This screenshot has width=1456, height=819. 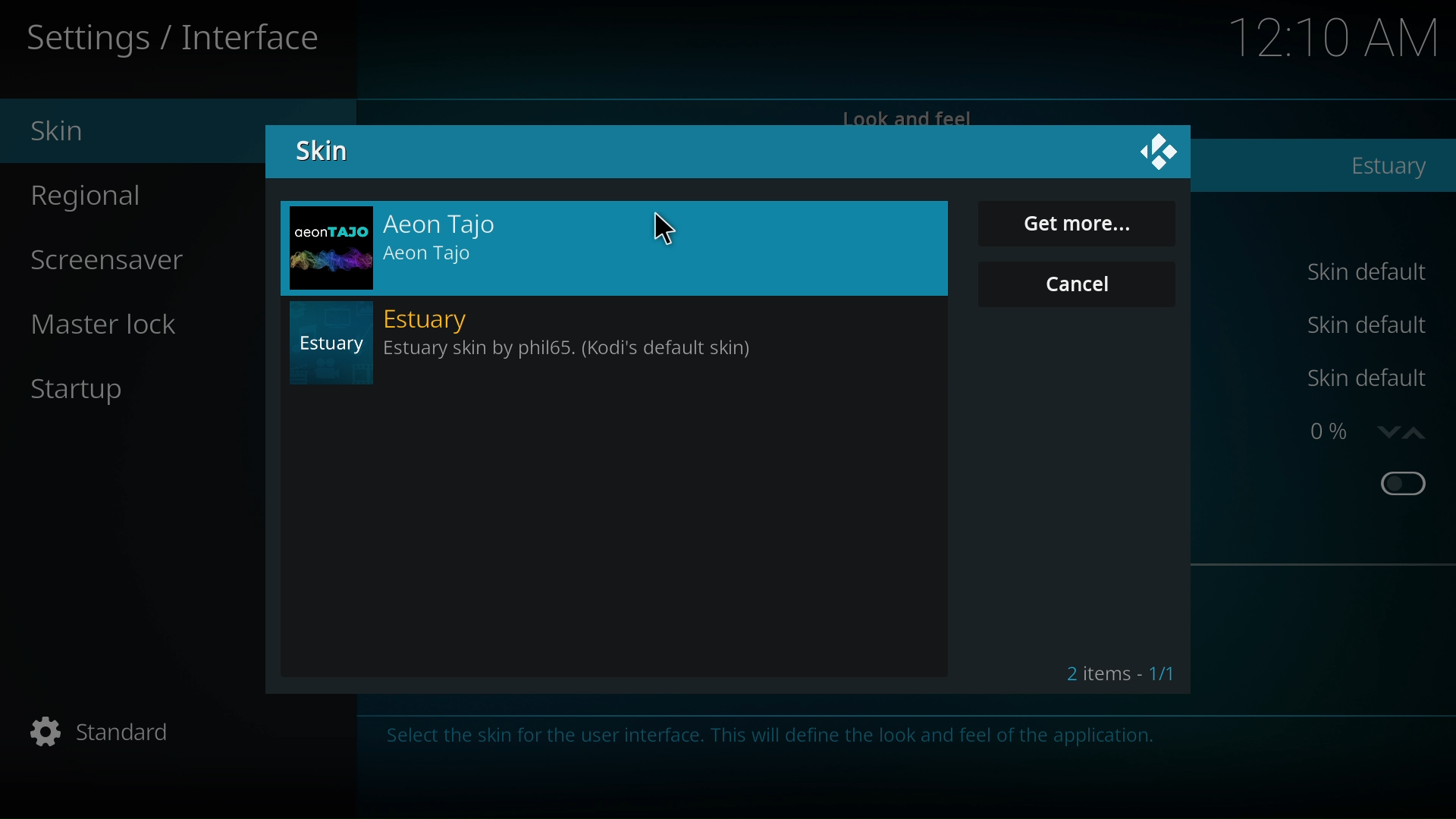 What do you see at coordinates (170, 42) in the screenshot?
I see `Settings / Interface` at bounding box center [170, 42].